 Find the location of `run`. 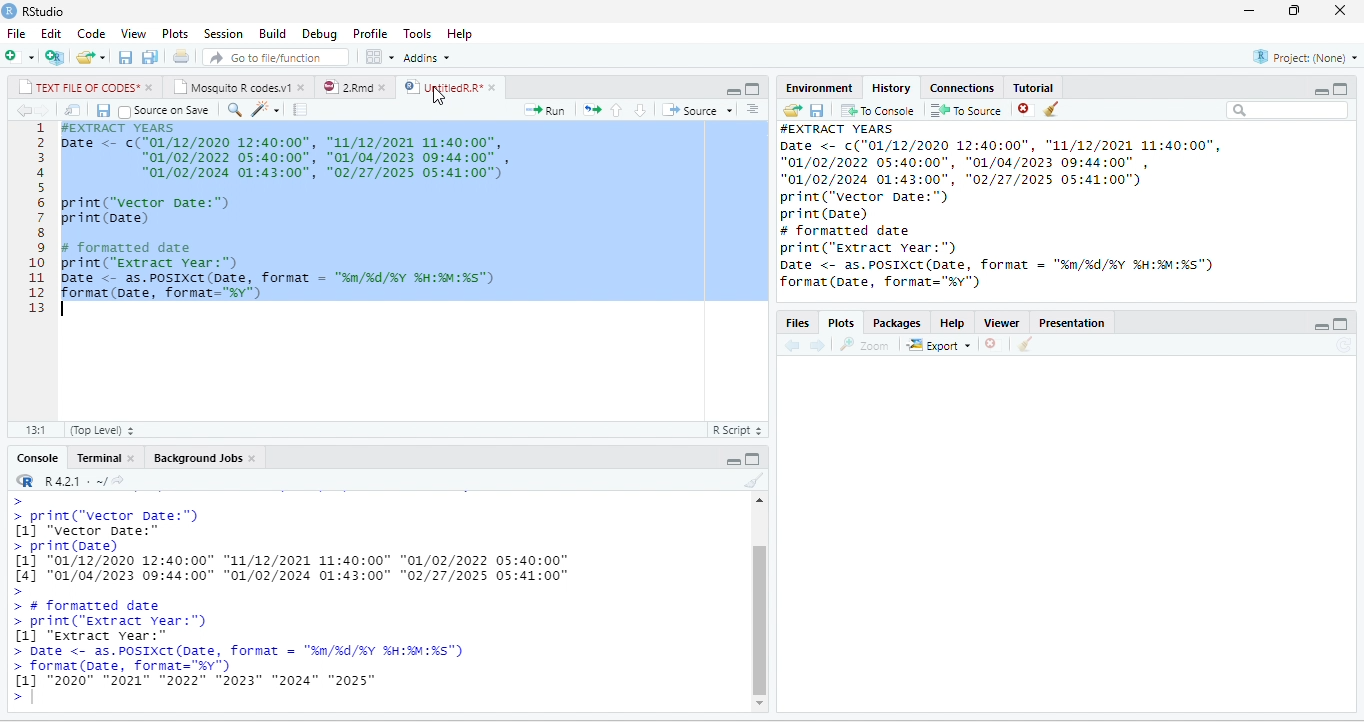

run is located at coordinates (546, 110).